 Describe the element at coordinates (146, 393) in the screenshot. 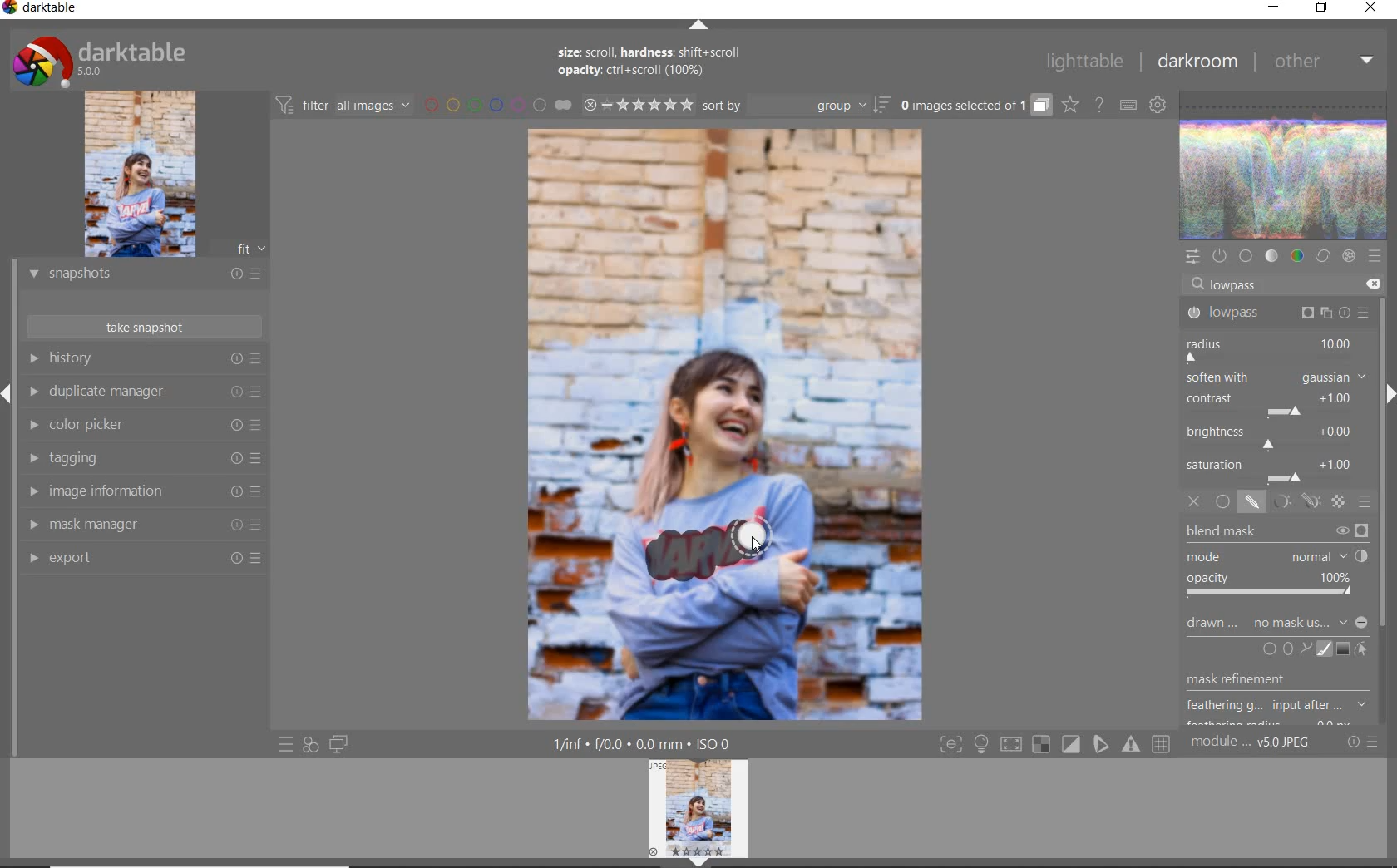

I see `duplicate manager` at that location.